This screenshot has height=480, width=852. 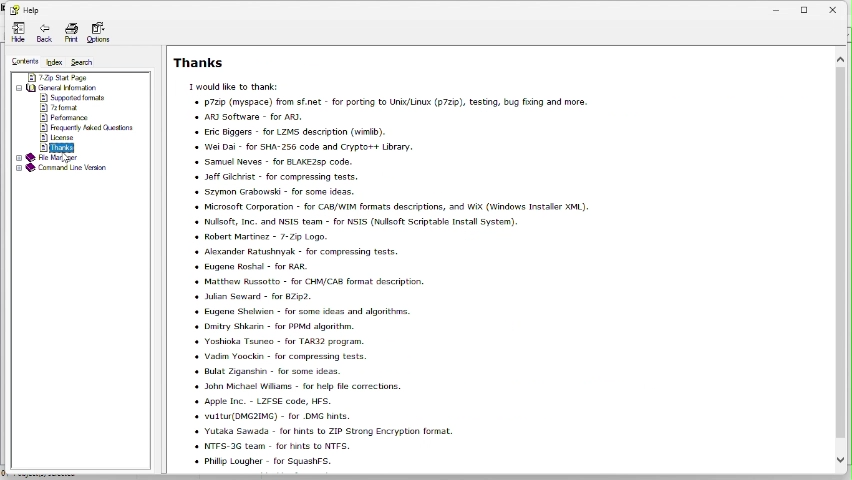 I want to click on hide, so click(x=17, y=33).